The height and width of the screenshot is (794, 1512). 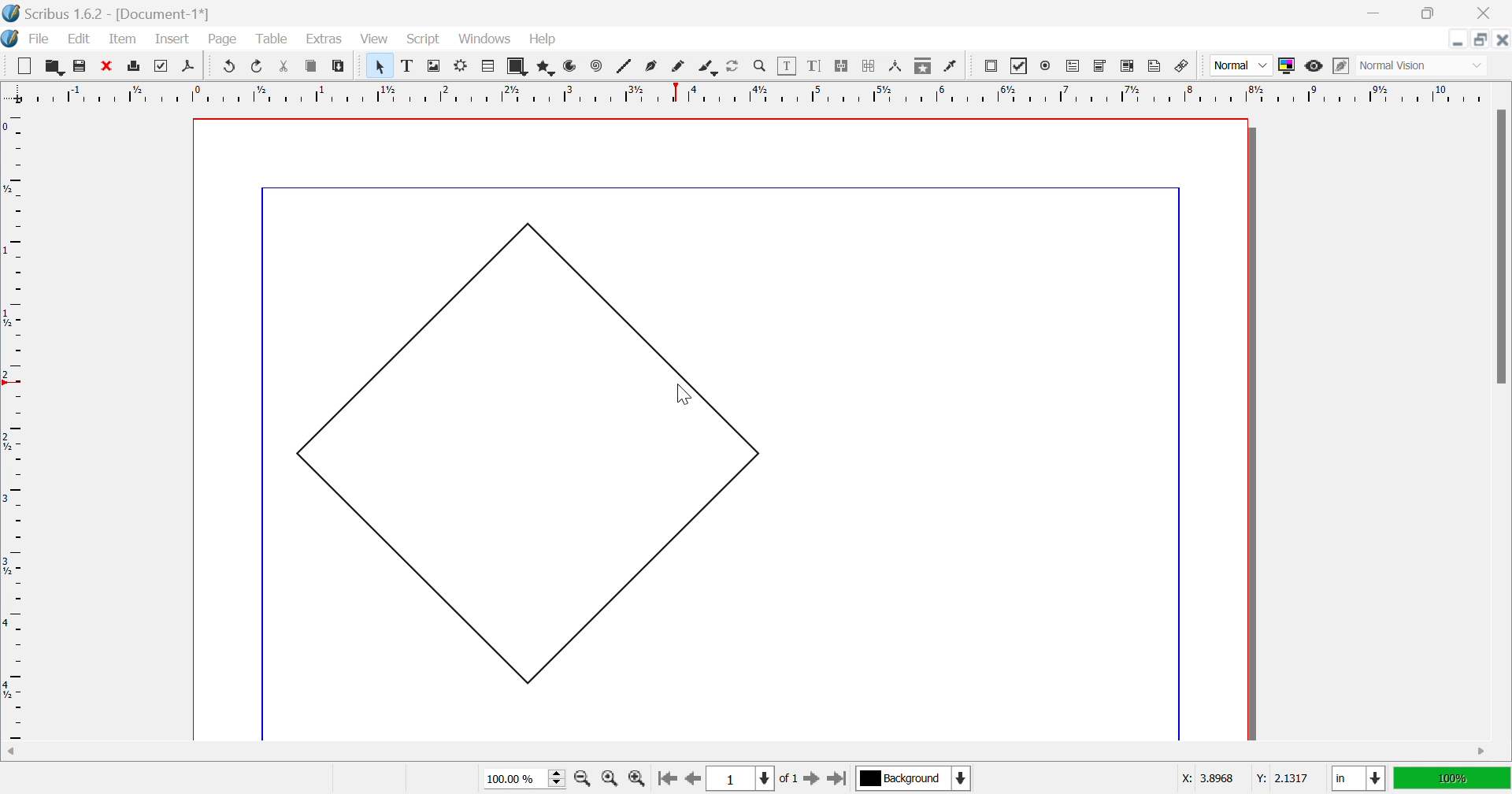 What do you see at coordinates (624, 65) in the screenshot?
I see `Line` at bounding box center [624, 65].